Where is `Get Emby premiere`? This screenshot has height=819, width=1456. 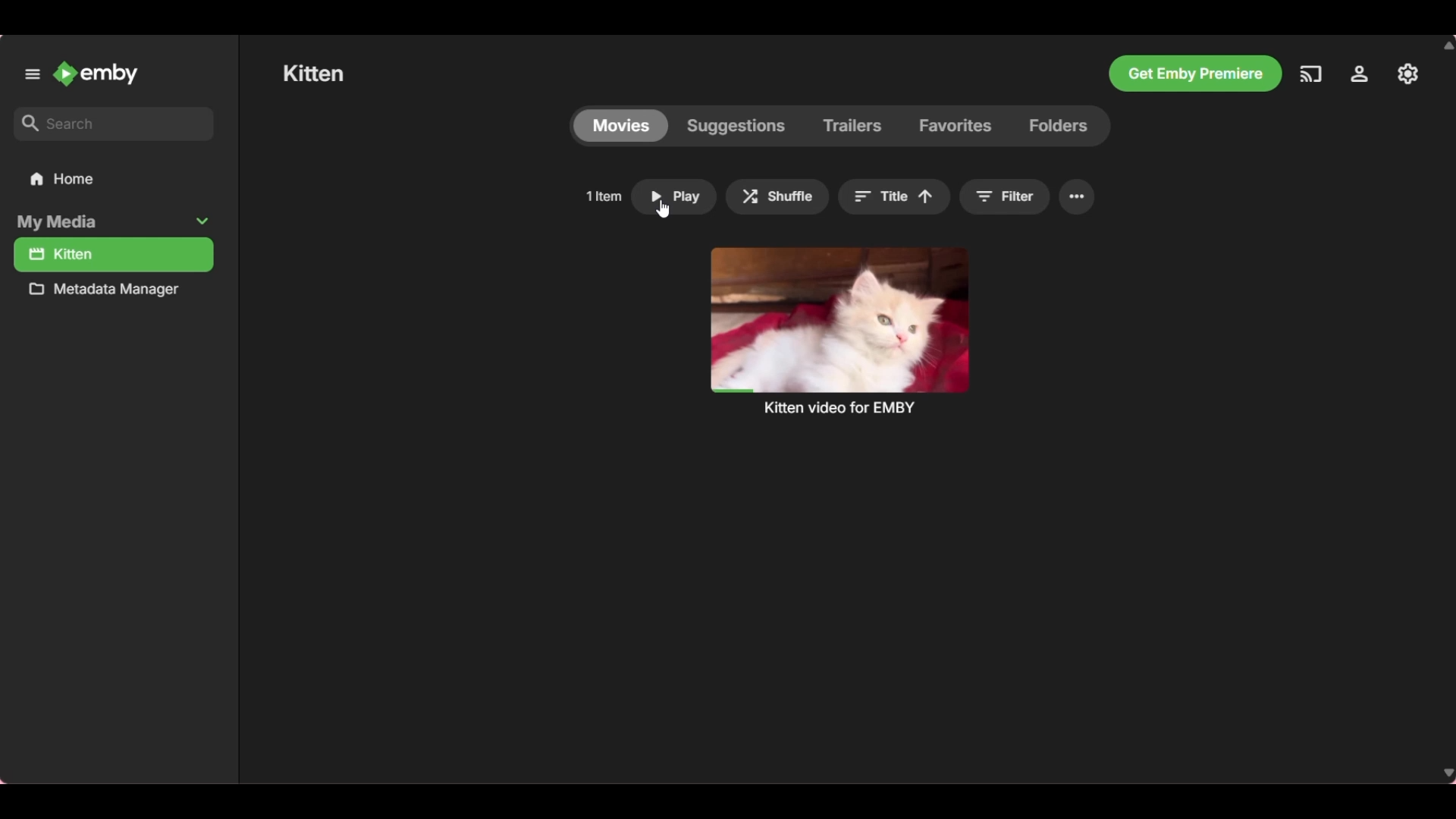
Get Emby premiere is located at coordinates (1196, 74).